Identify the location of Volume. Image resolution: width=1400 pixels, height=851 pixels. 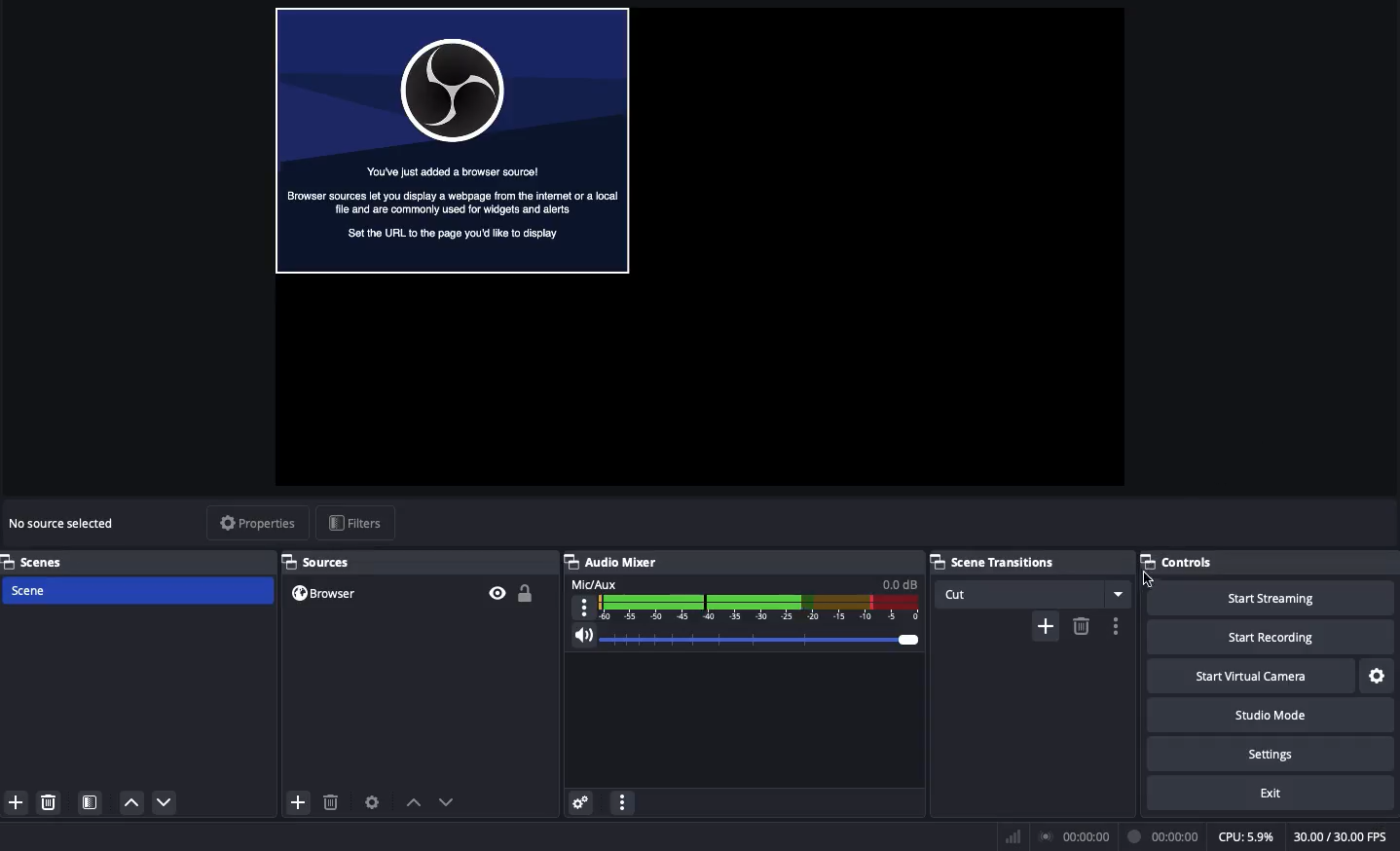
(746, 639).